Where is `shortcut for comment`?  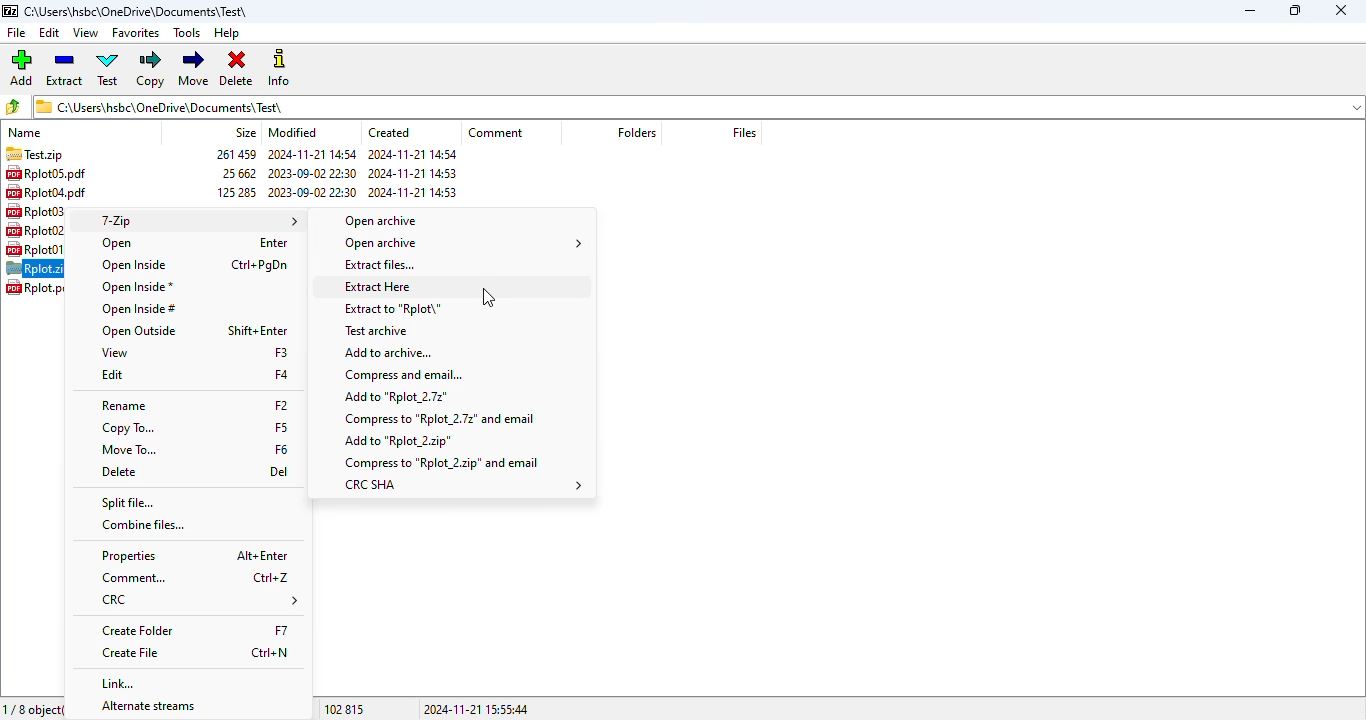
shortcut for comment is located at coordinates (271, 577).